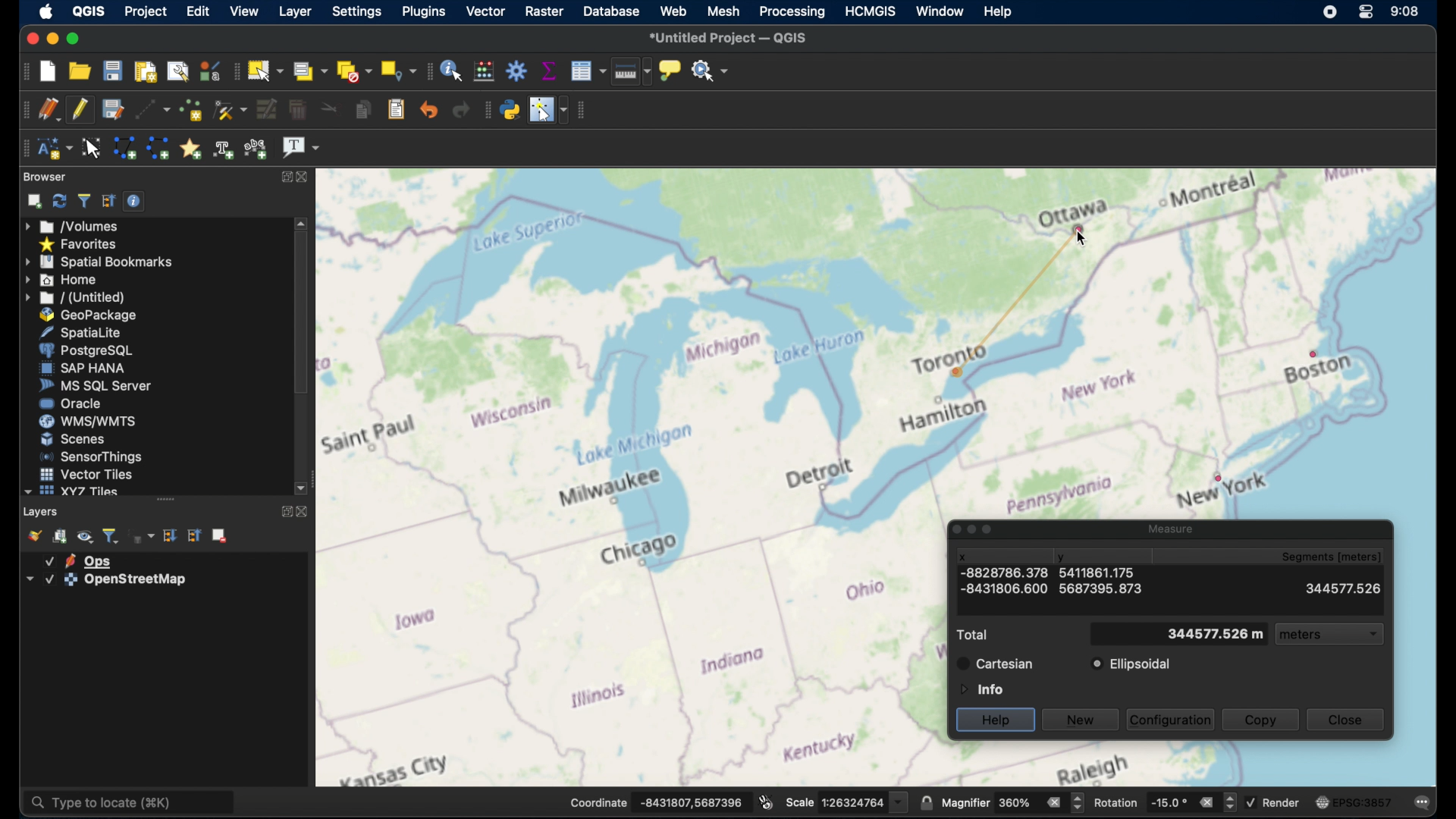  Describe the element at coordinates (1177, 588) in the screenshot. I see `distance` at that location.